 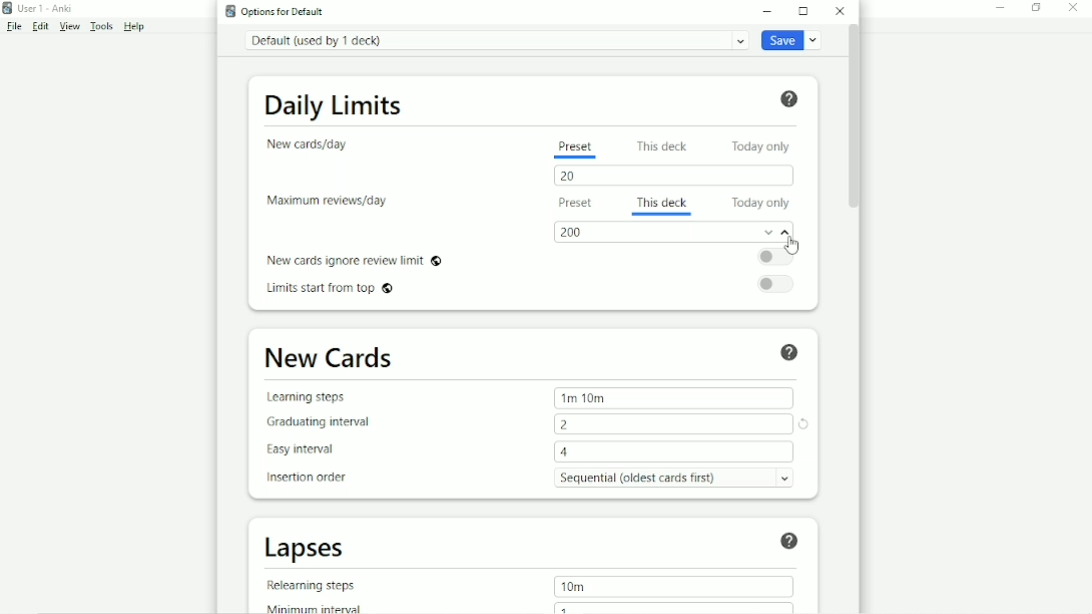 I want to click on New cards/day, so click(x=313, y=144).